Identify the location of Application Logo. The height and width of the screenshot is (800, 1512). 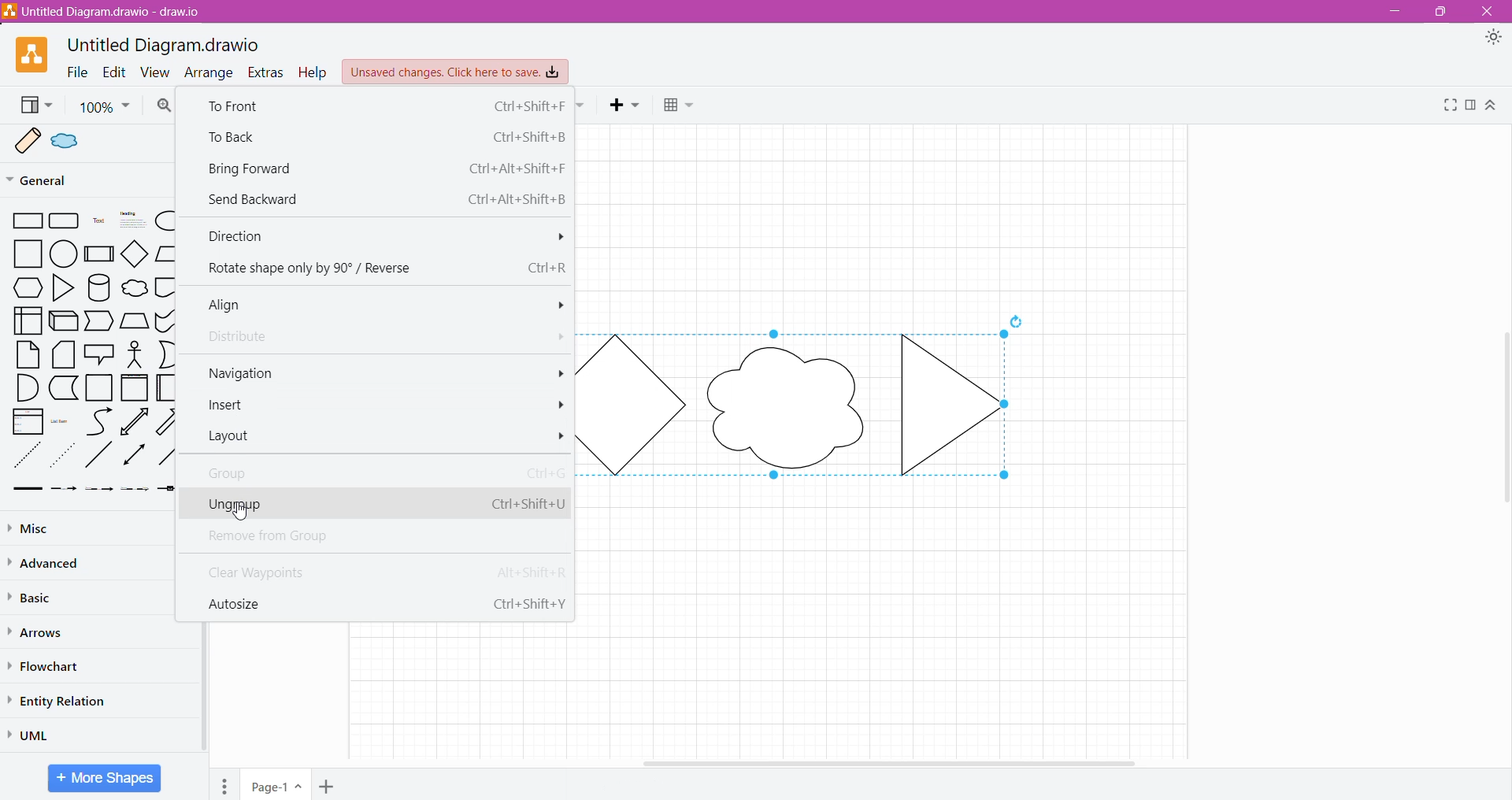
(24, 54).